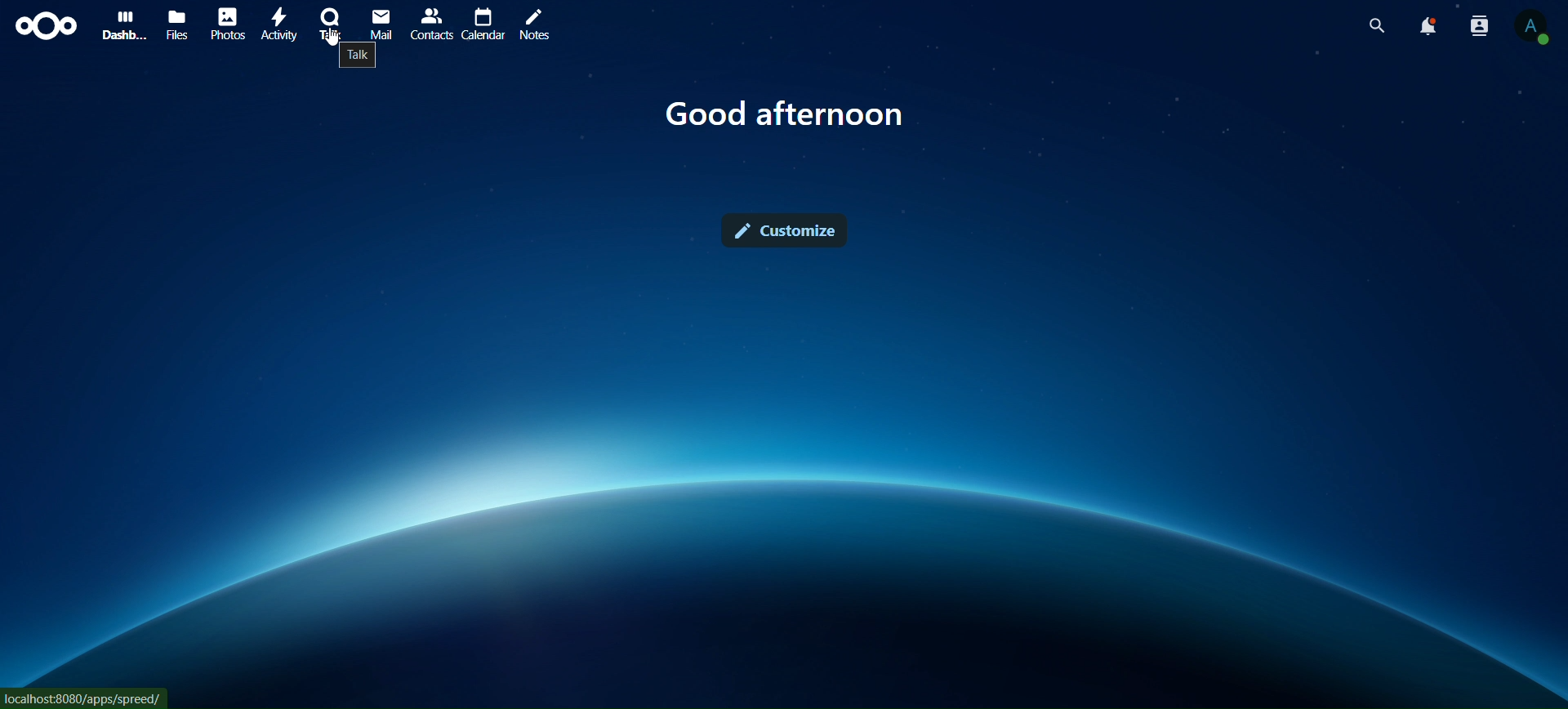 This screenshot has height=709, width=1568. I want to click on dashboard, so click(122, 24).